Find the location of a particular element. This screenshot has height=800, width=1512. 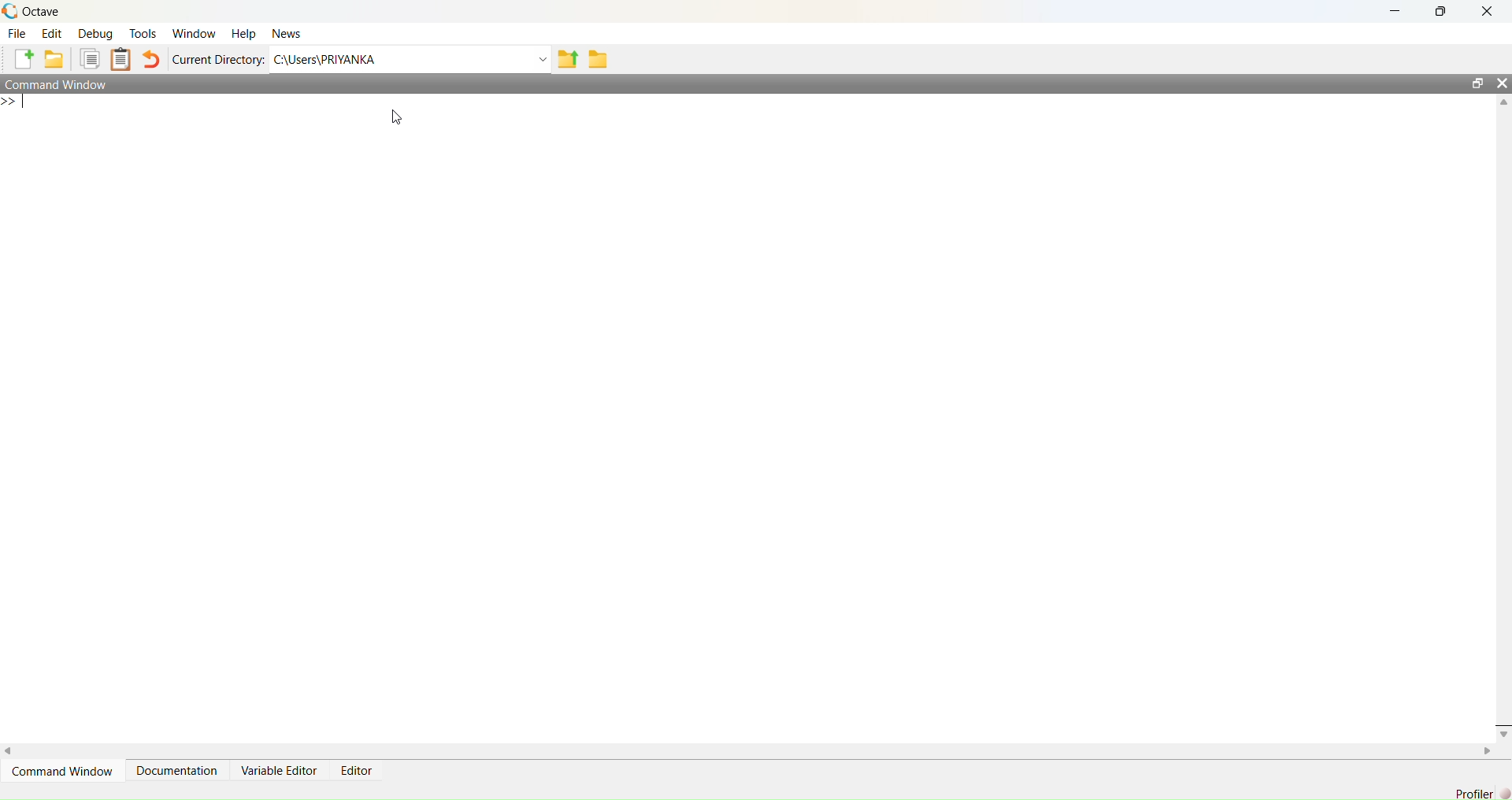

Documentation is located at coordinates (176, 771).